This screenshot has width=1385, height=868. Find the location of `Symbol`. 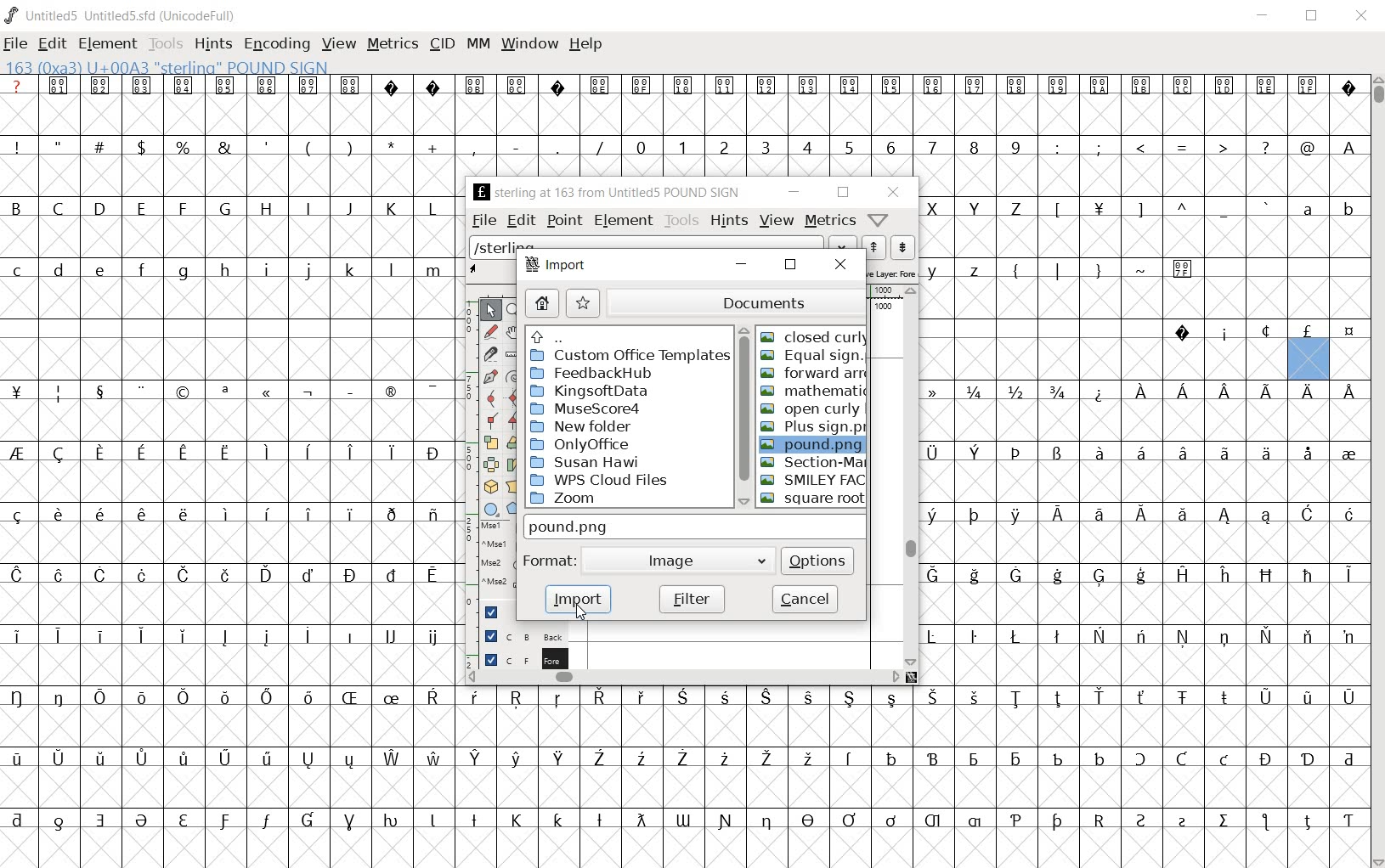

Symbol is located at coordinates (937, 453).